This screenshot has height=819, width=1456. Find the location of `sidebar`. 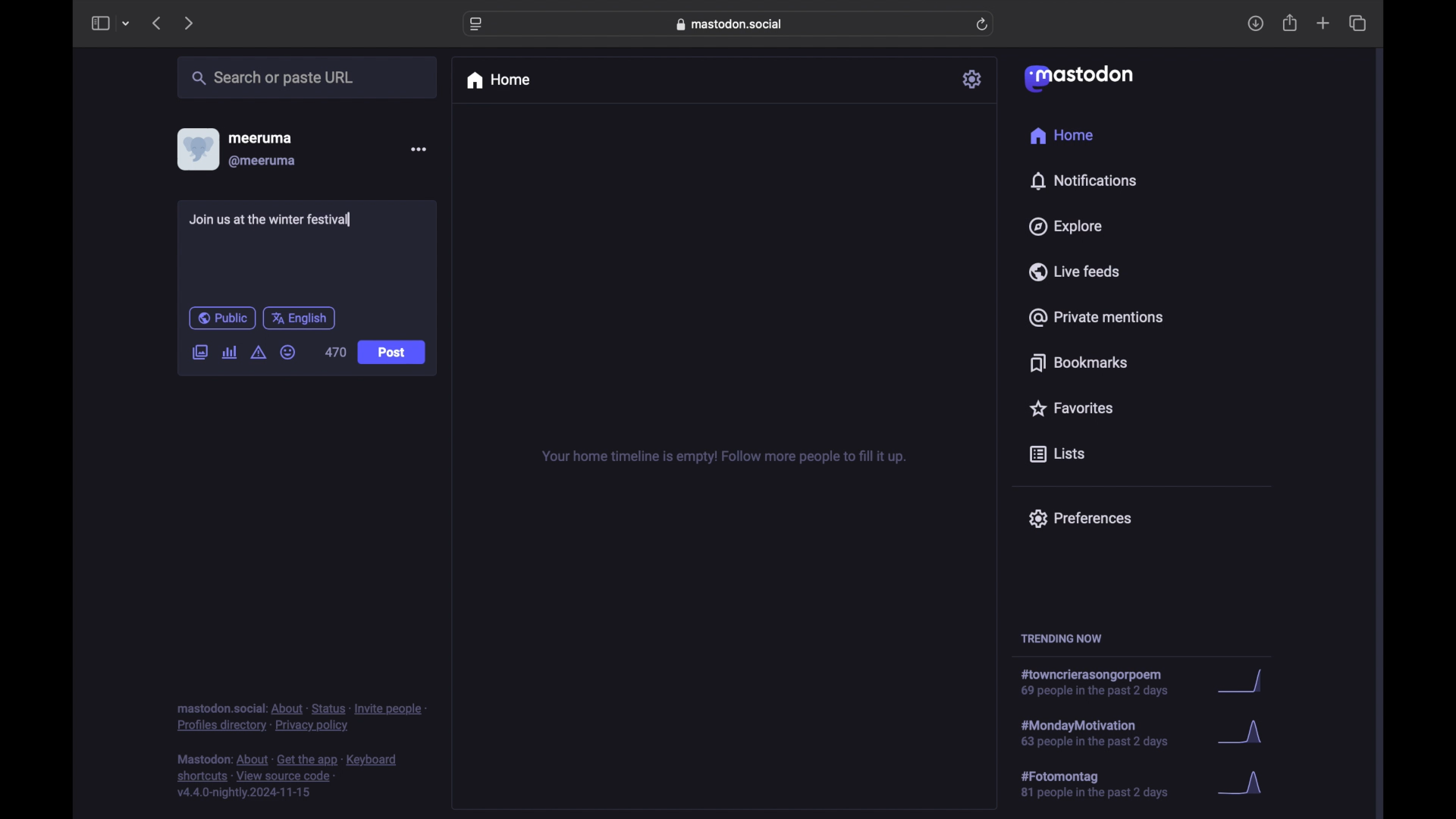

sidebar is located at coordinates (99, 23).